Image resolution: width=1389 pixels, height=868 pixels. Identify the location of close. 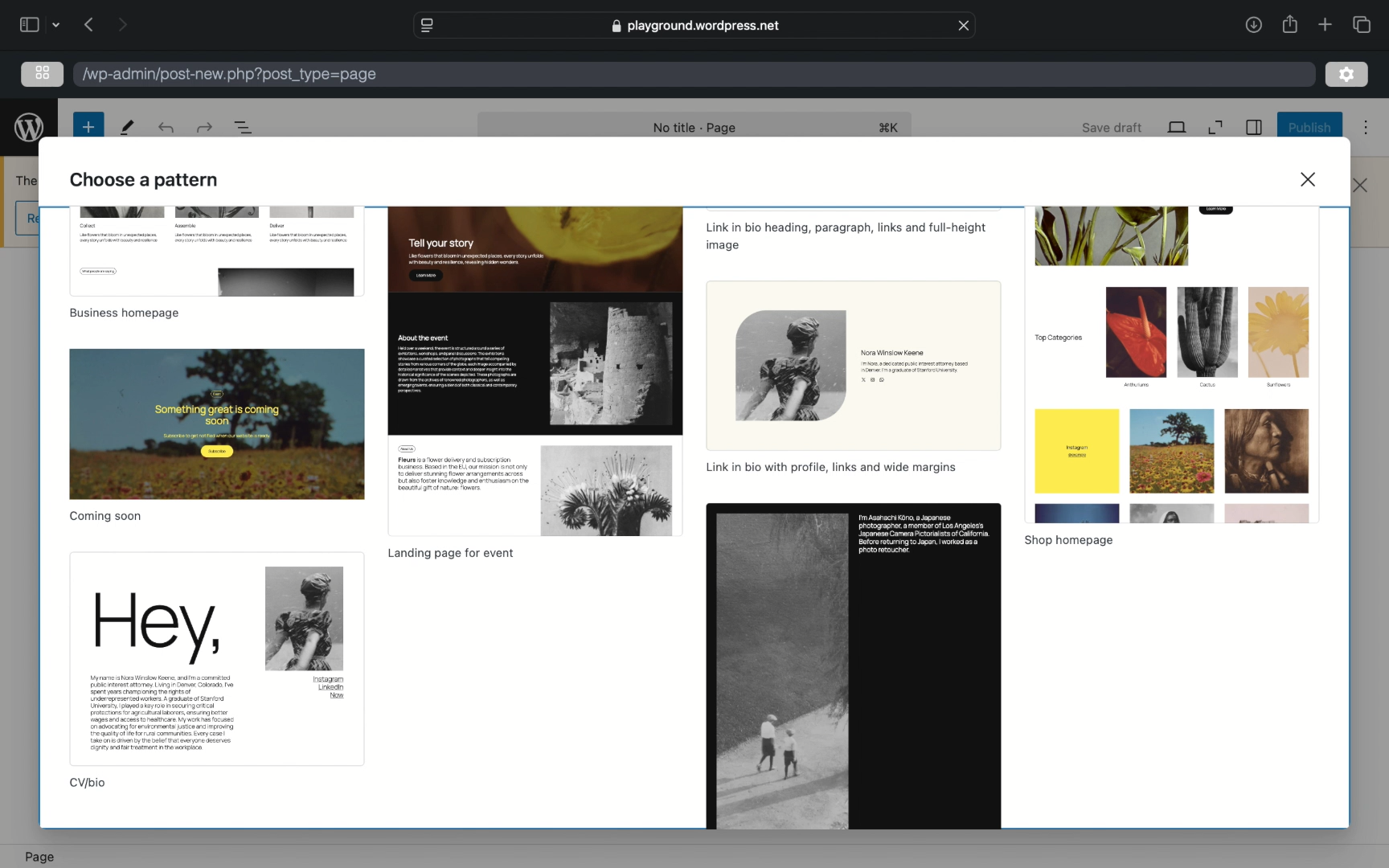
(1361, 186).